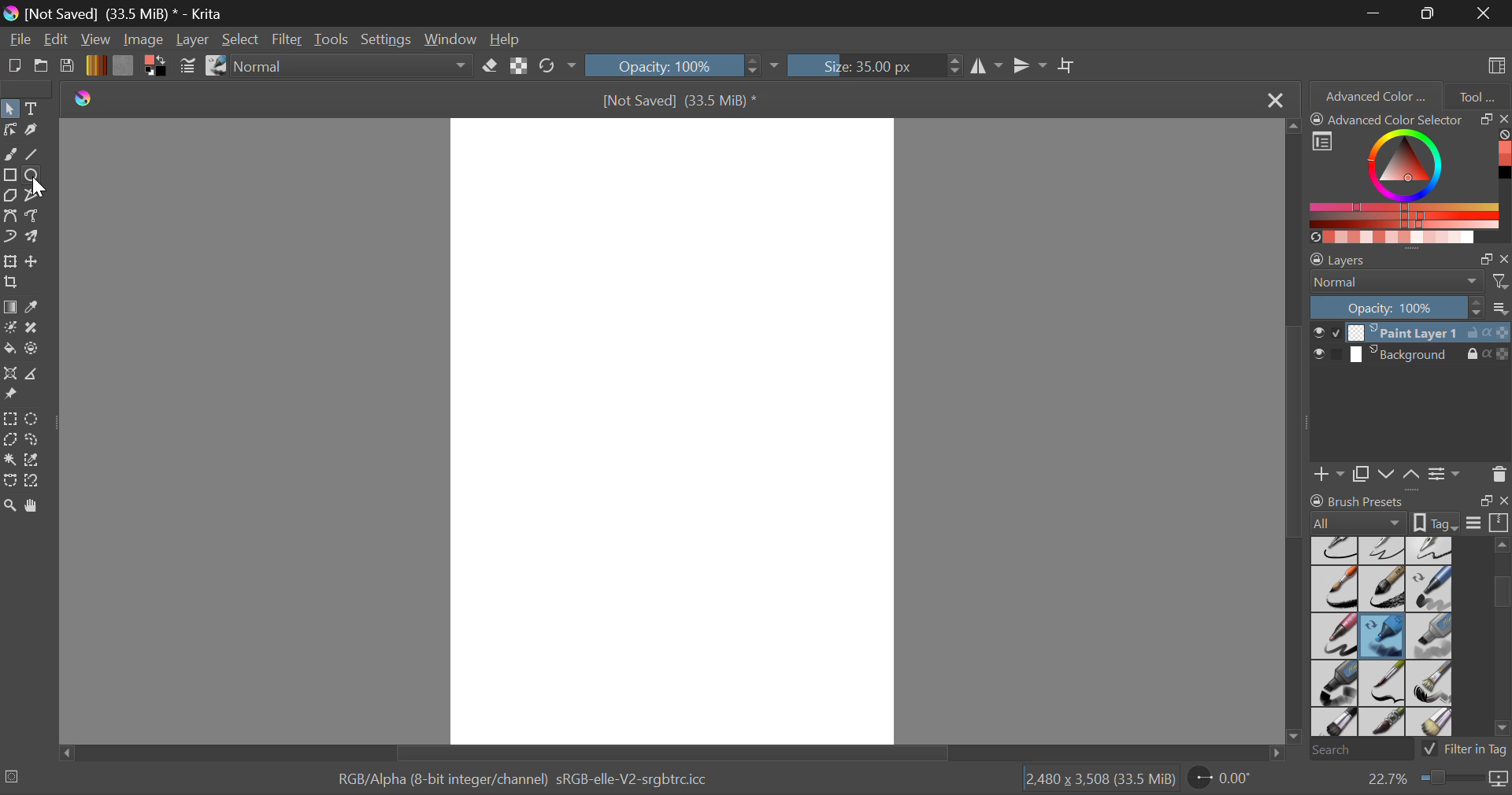  Describe the element at coordinates (36, 461) in the screenshot. I see `Similar Color Selection` at that location.